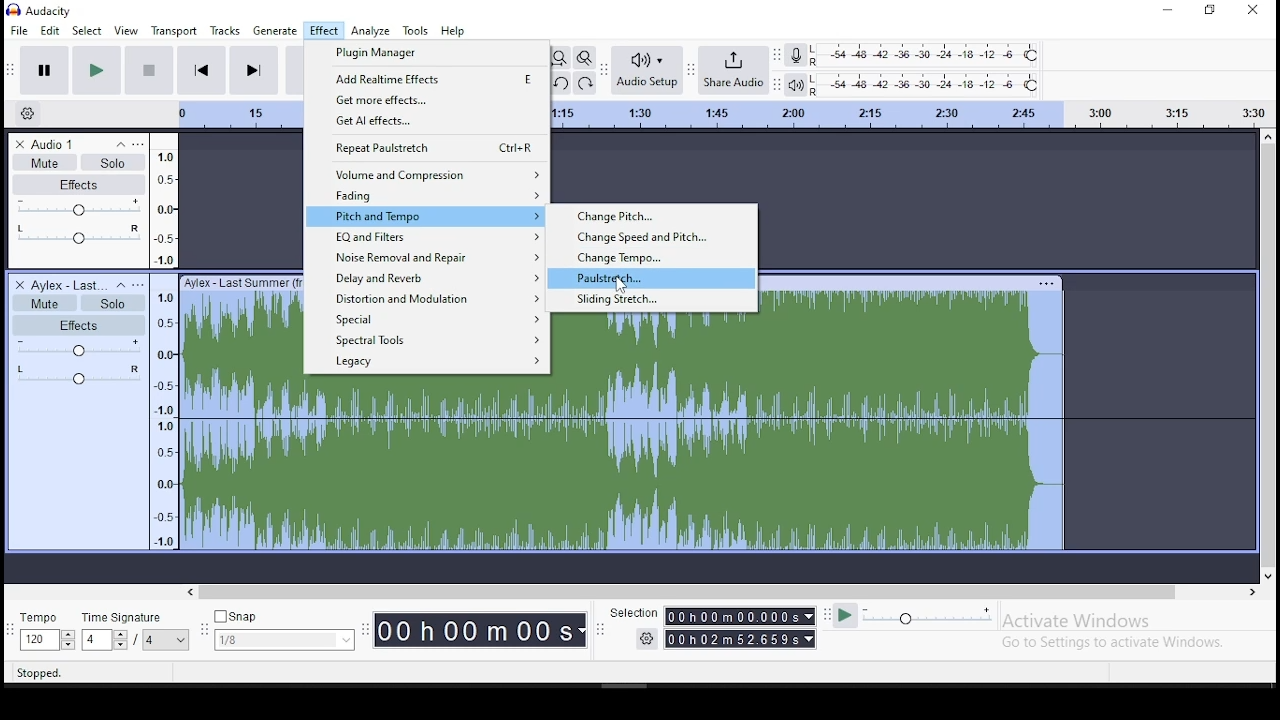  Describe the element at coordinates (77, 242) in the screenshot. I see `audio effect` at that location.